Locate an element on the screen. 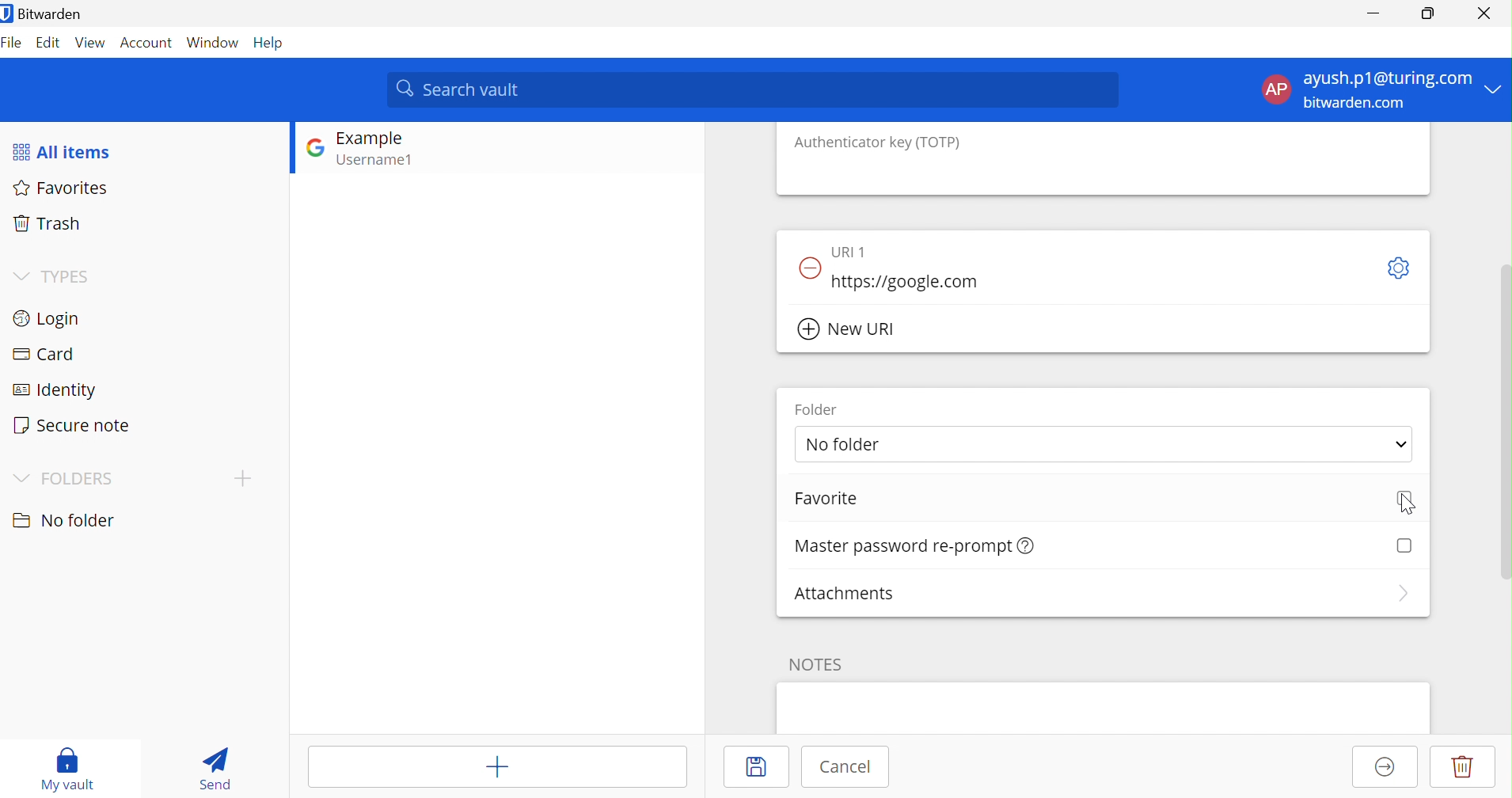 The height and width of the screenshot is (798, 1512). SCROLLBAR is located at coordinates (1503, 413).